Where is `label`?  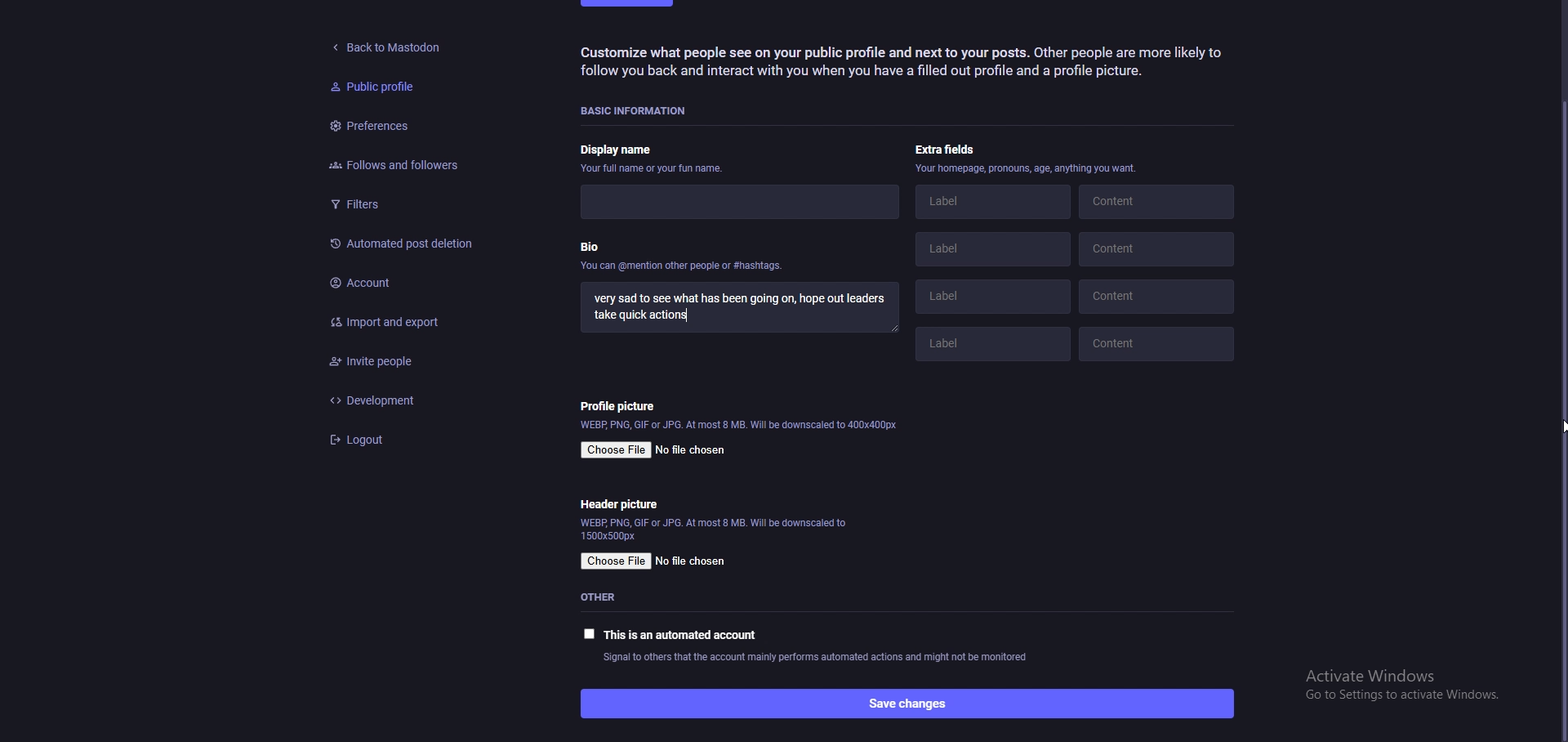 label is located at coordinates (992, 252).